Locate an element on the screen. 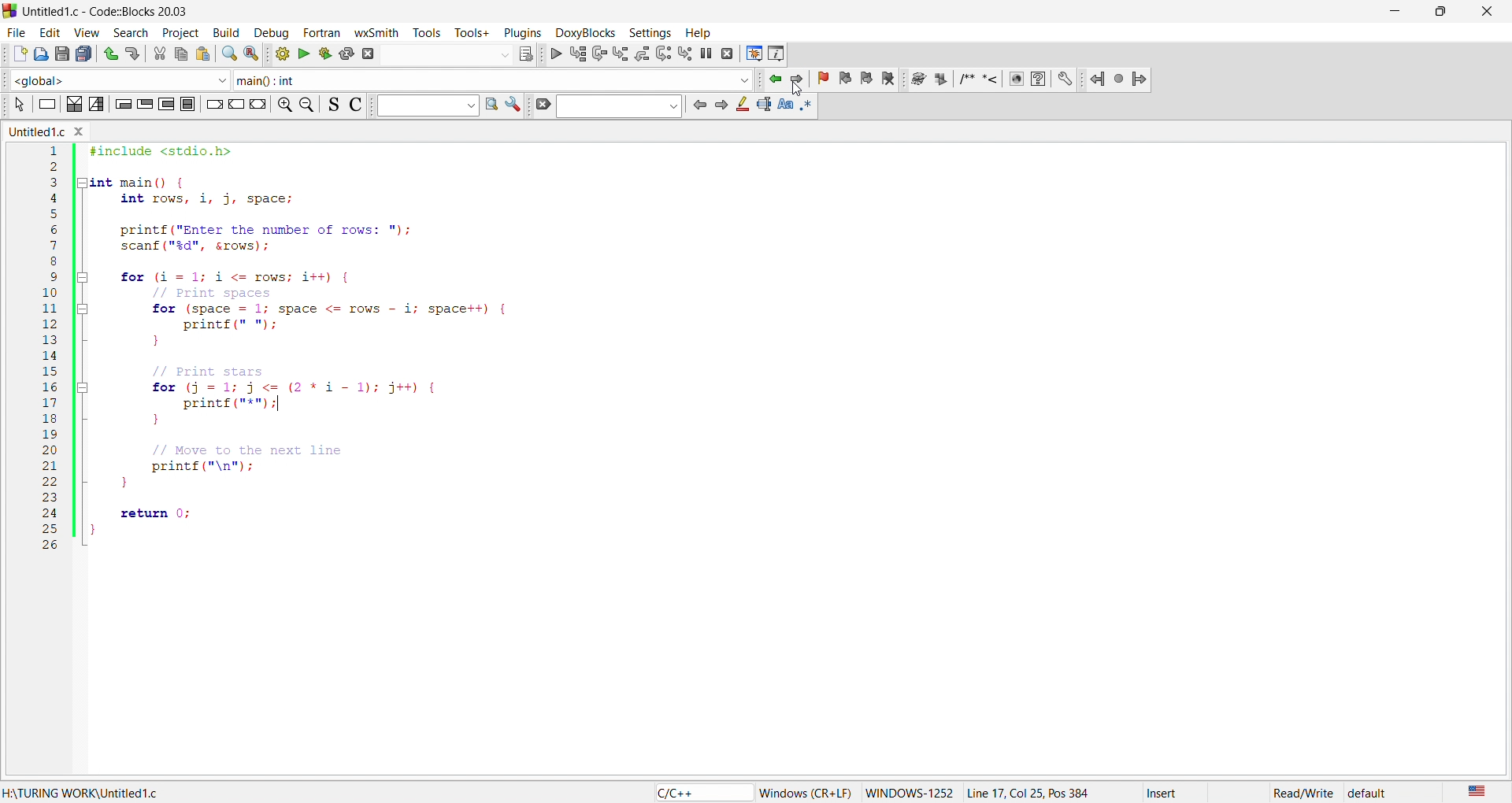 The width and height of the screenshot is (1512, 803). icon is located at coordinates (765, 104).